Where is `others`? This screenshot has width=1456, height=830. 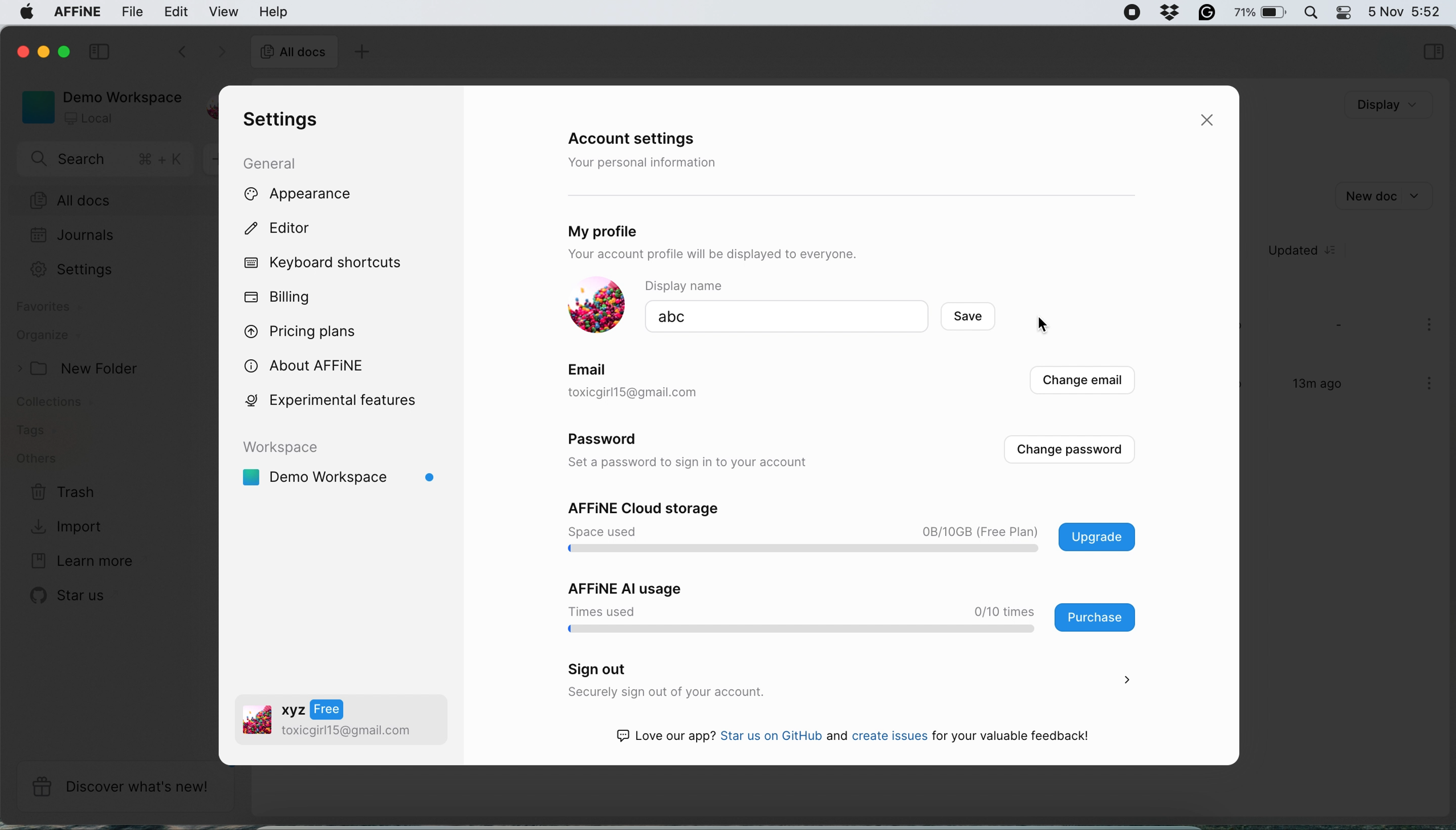 others is located at coordinates (36, 459).